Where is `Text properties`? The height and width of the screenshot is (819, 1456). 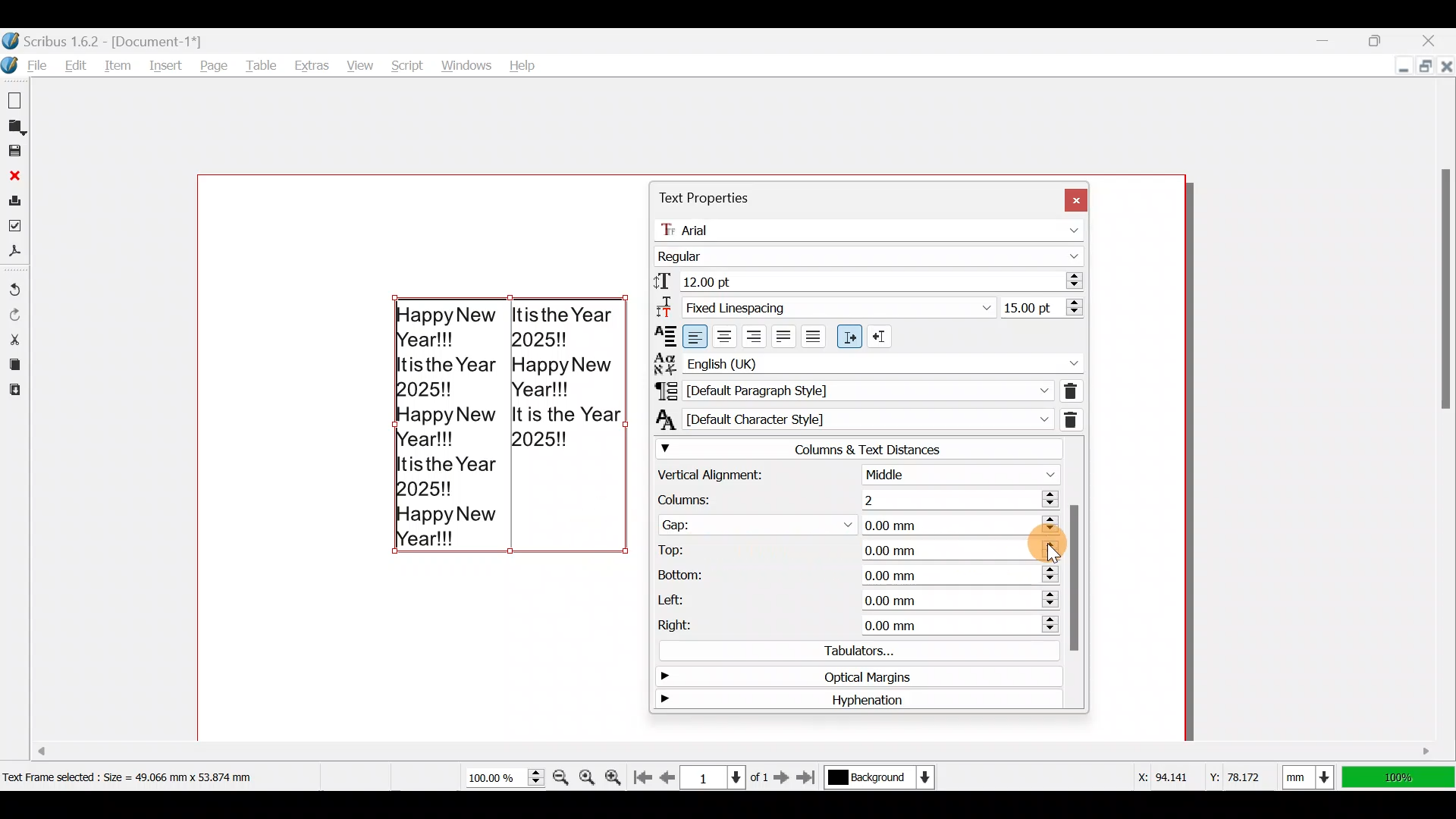 Text properties is located at coordinates (704, 198).